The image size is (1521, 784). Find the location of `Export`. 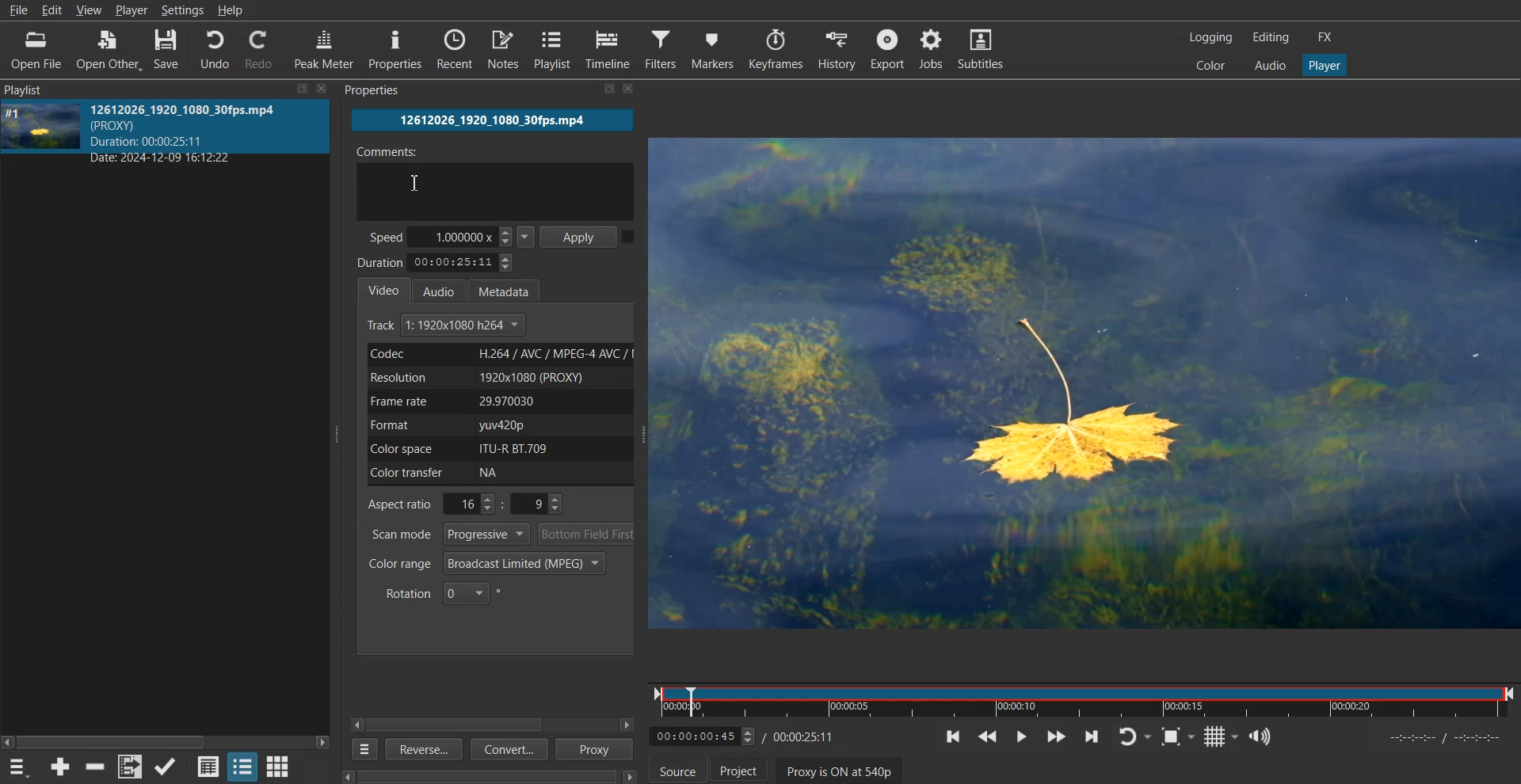

Export is located at coordinates (886, 48).